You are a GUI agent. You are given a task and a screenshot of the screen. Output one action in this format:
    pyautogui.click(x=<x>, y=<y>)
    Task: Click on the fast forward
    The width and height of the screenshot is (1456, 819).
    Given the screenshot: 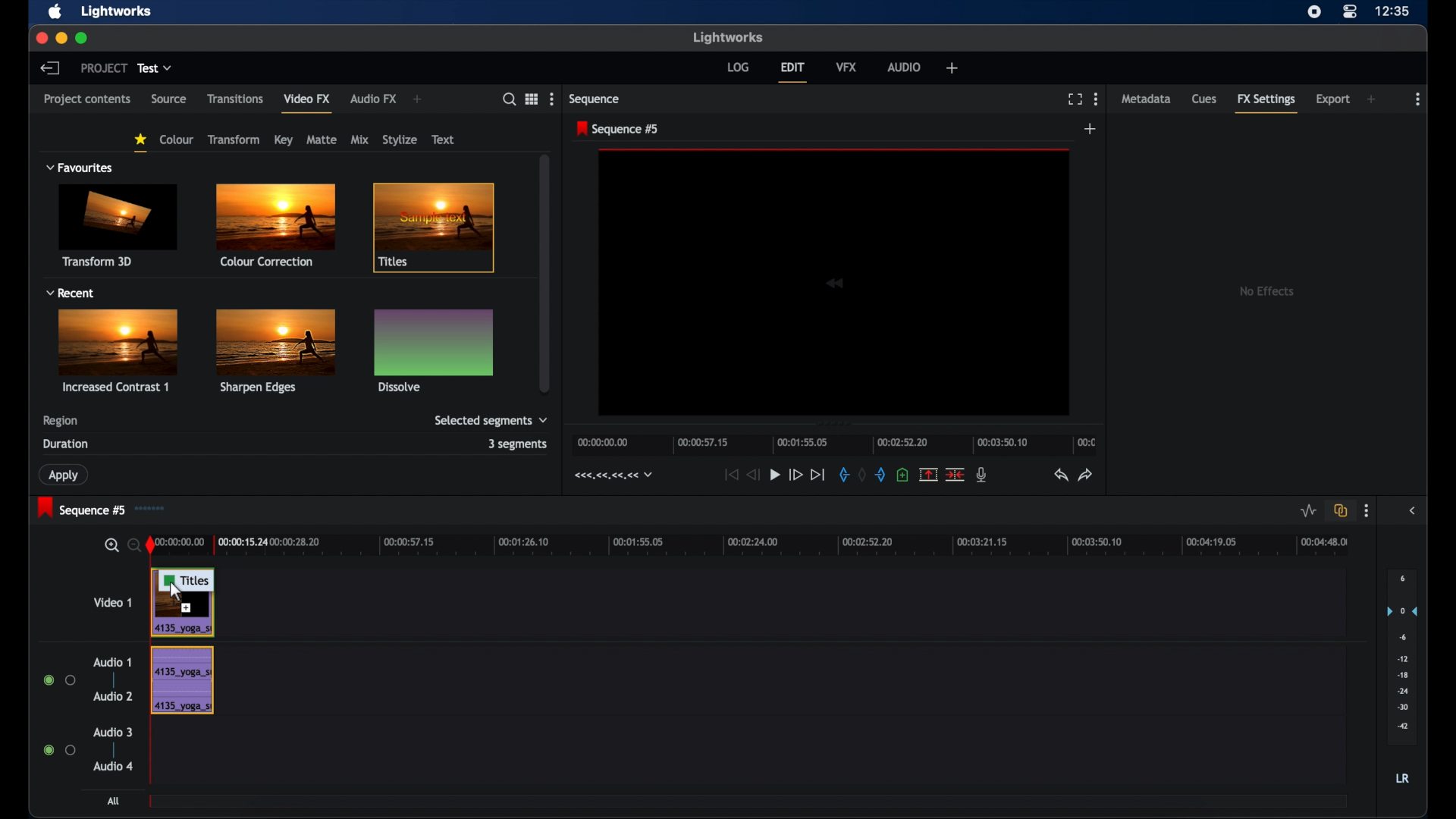 What is the action you would take?
    pyautogui.click(x=795, y=474)
    